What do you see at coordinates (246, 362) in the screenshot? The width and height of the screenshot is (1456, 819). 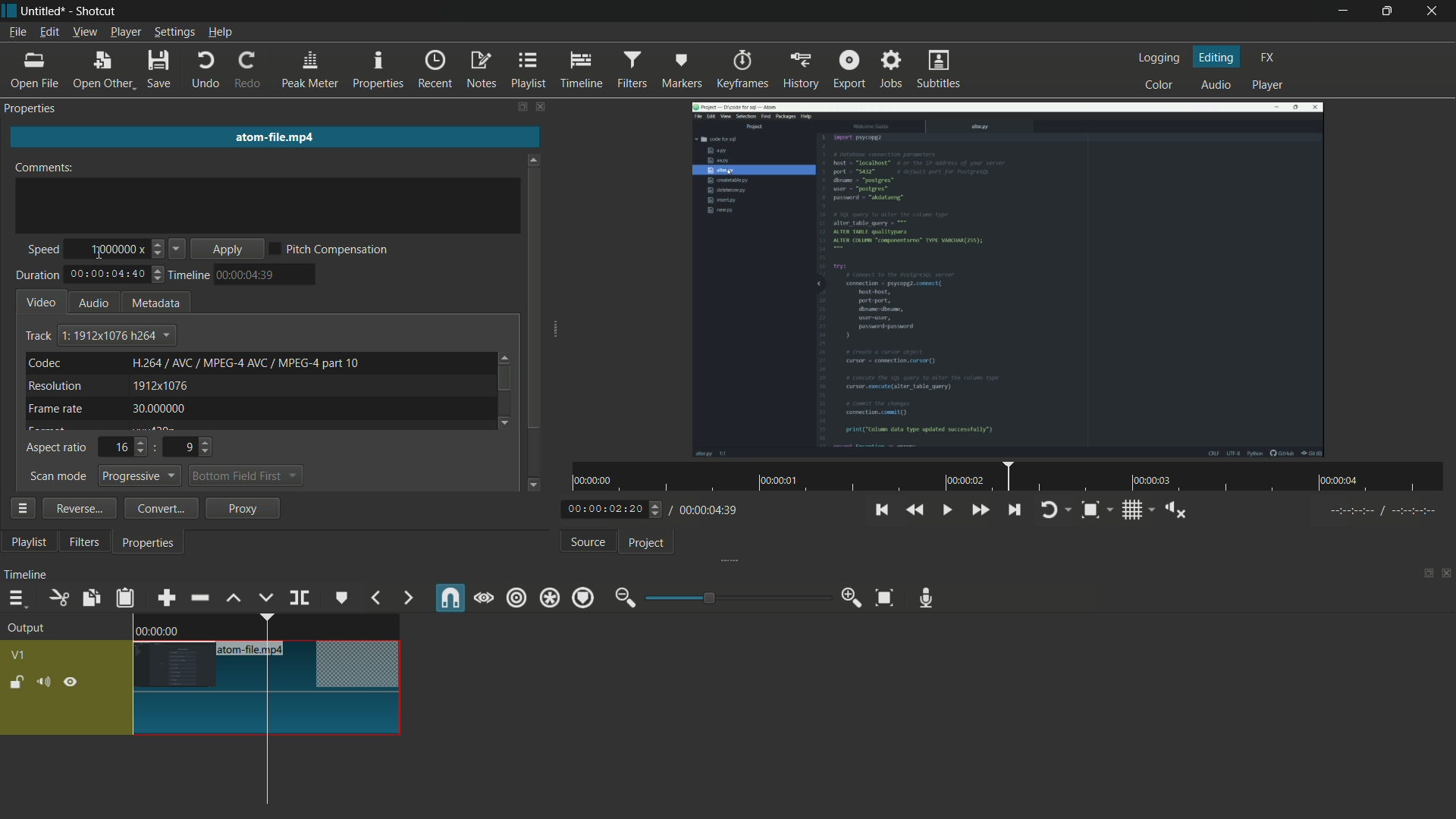 I see `text` at bounding box center [246, 362].